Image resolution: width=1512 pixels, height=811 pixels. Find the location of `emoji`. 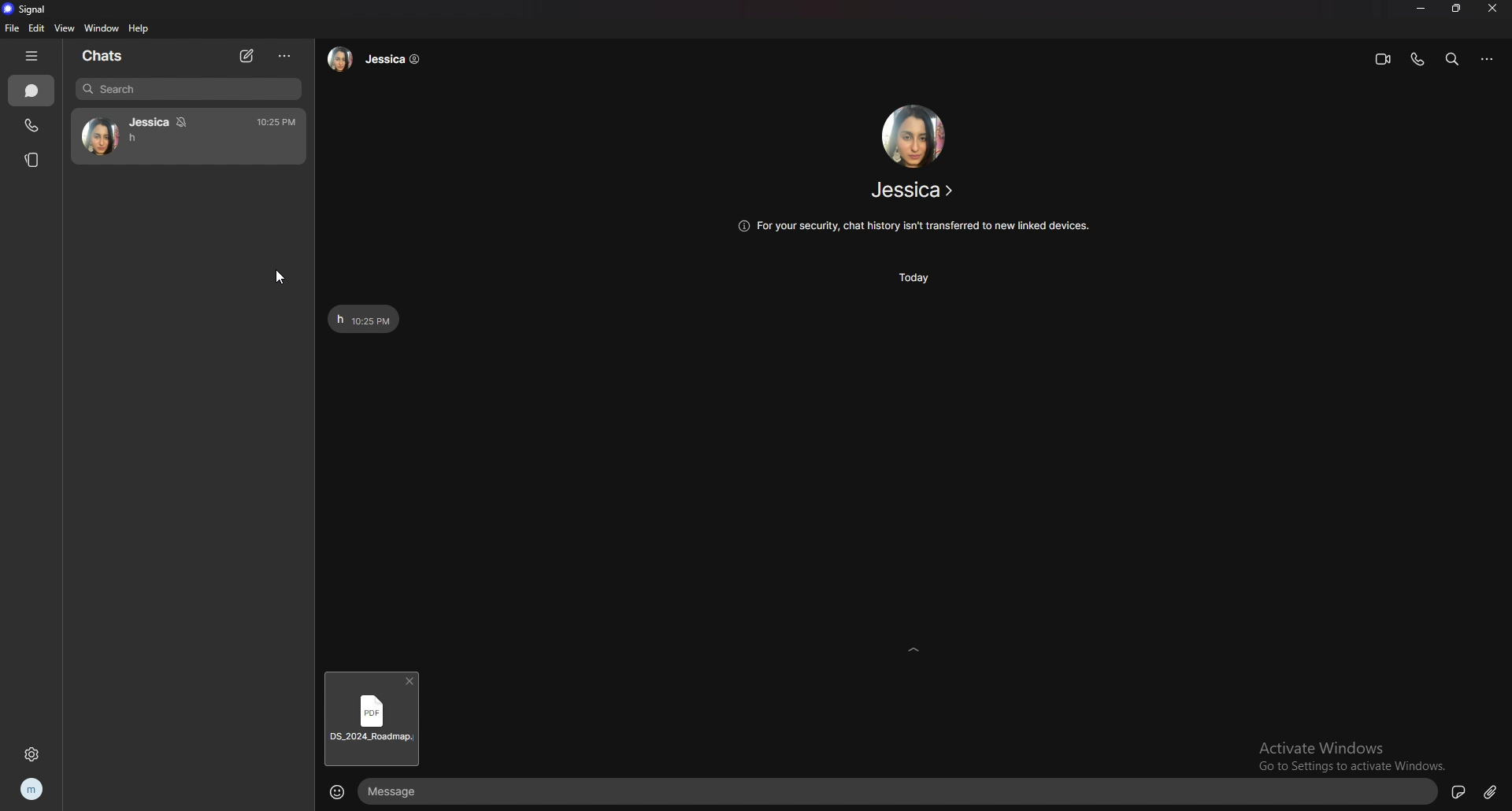

emoji is located at coordinates (339, 791).